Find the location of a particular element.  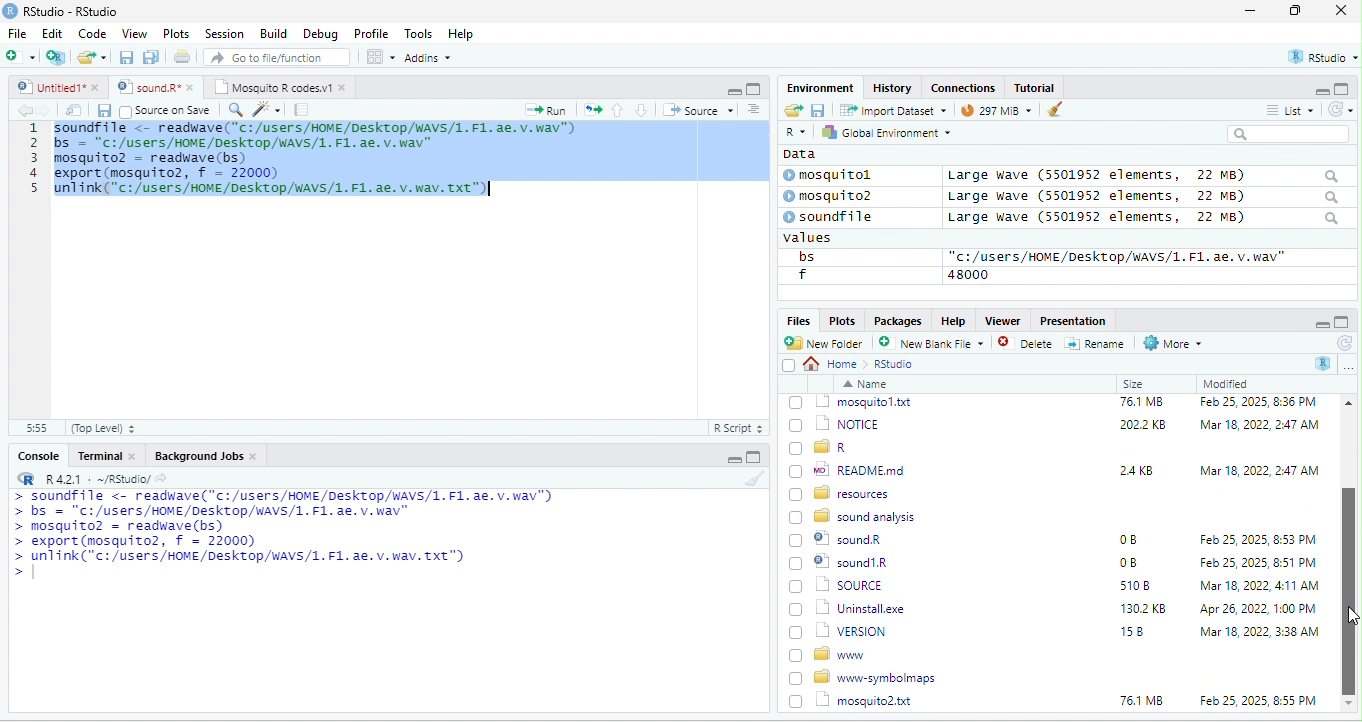

Viewer is located at coordinates (1000, 321).